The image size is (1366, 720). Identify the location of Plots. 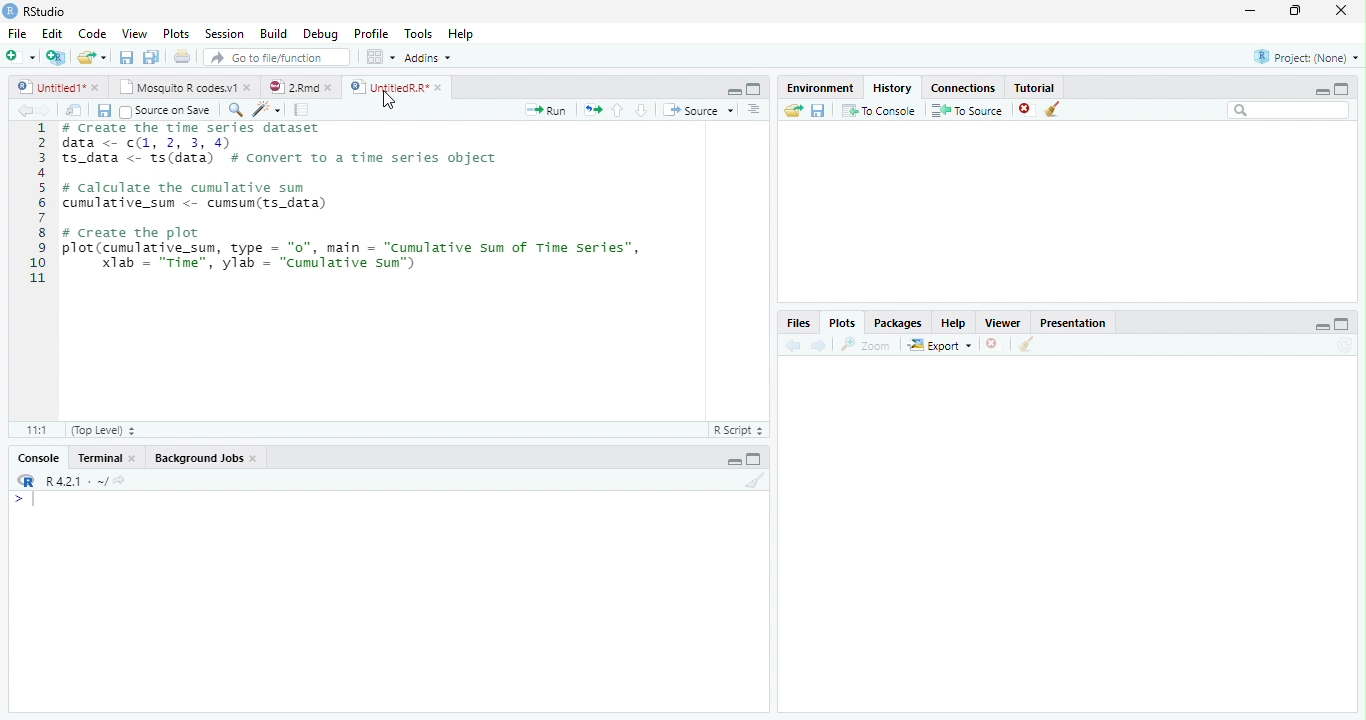
(177, 34).